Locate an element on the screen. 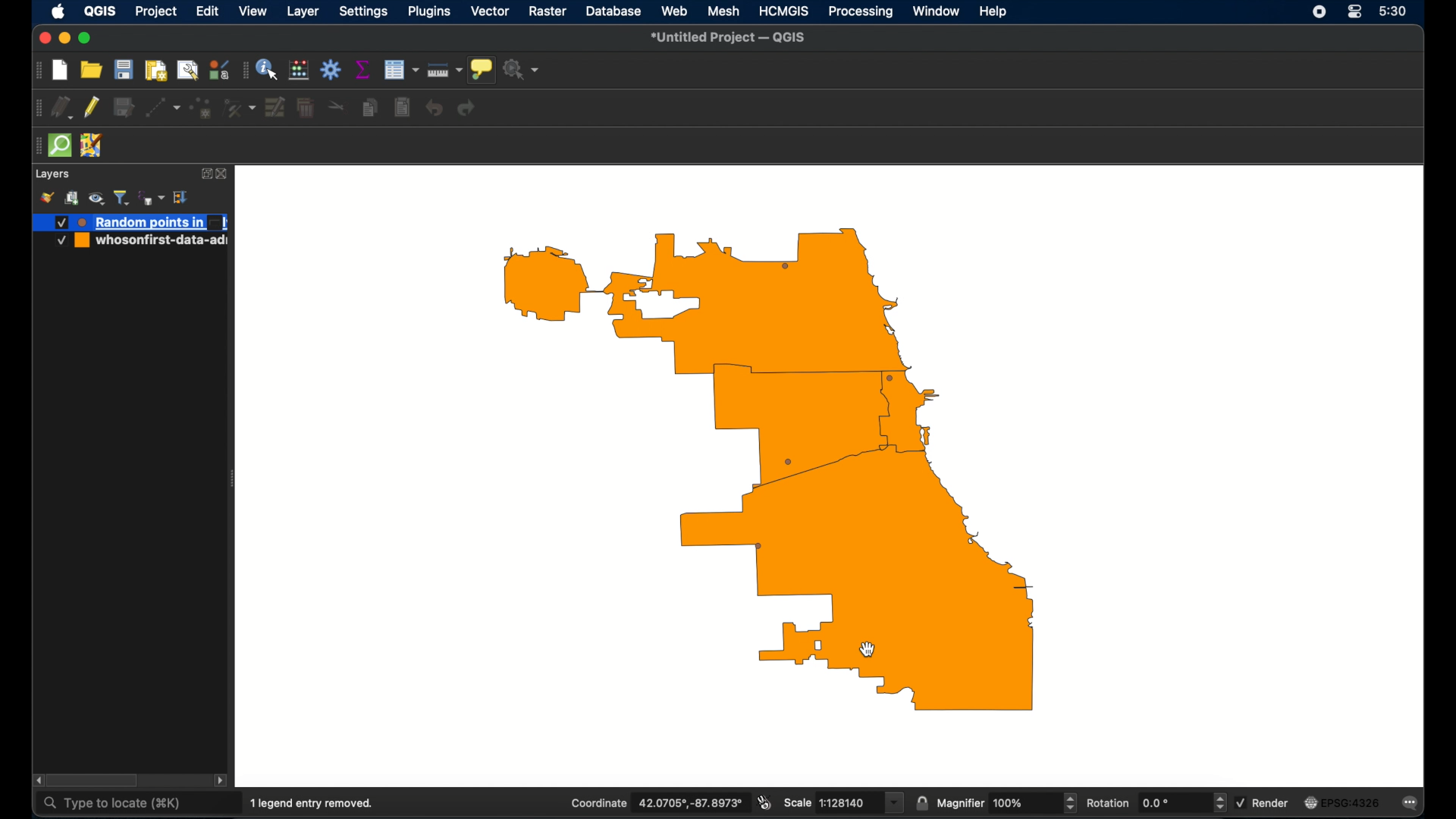 Image resolution: width=1456 pixels, height=819 pixels. type to locate is located at coordinates (115, 805).